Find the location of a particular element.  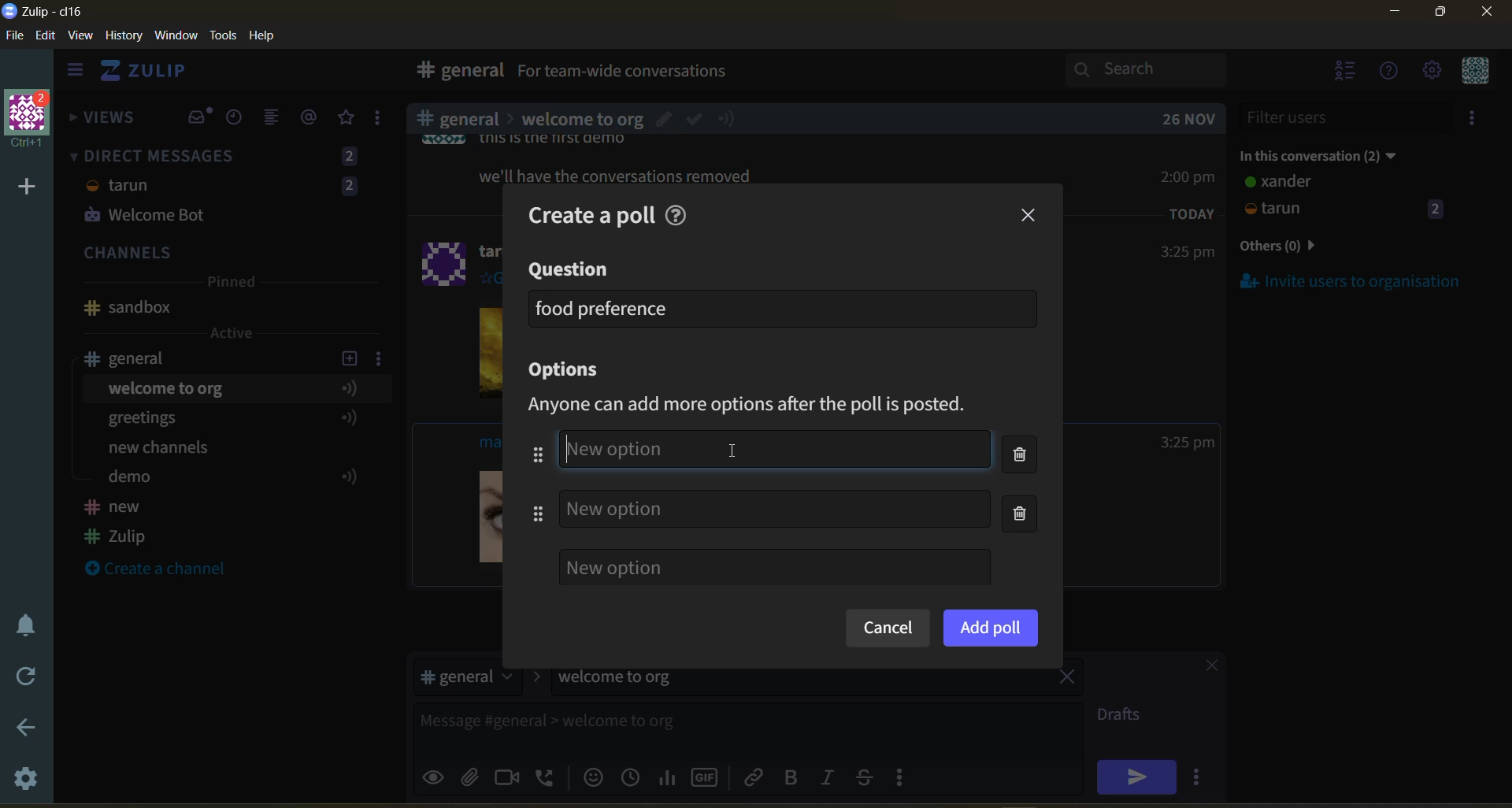

help menu is located at coordinates (1390, 72).